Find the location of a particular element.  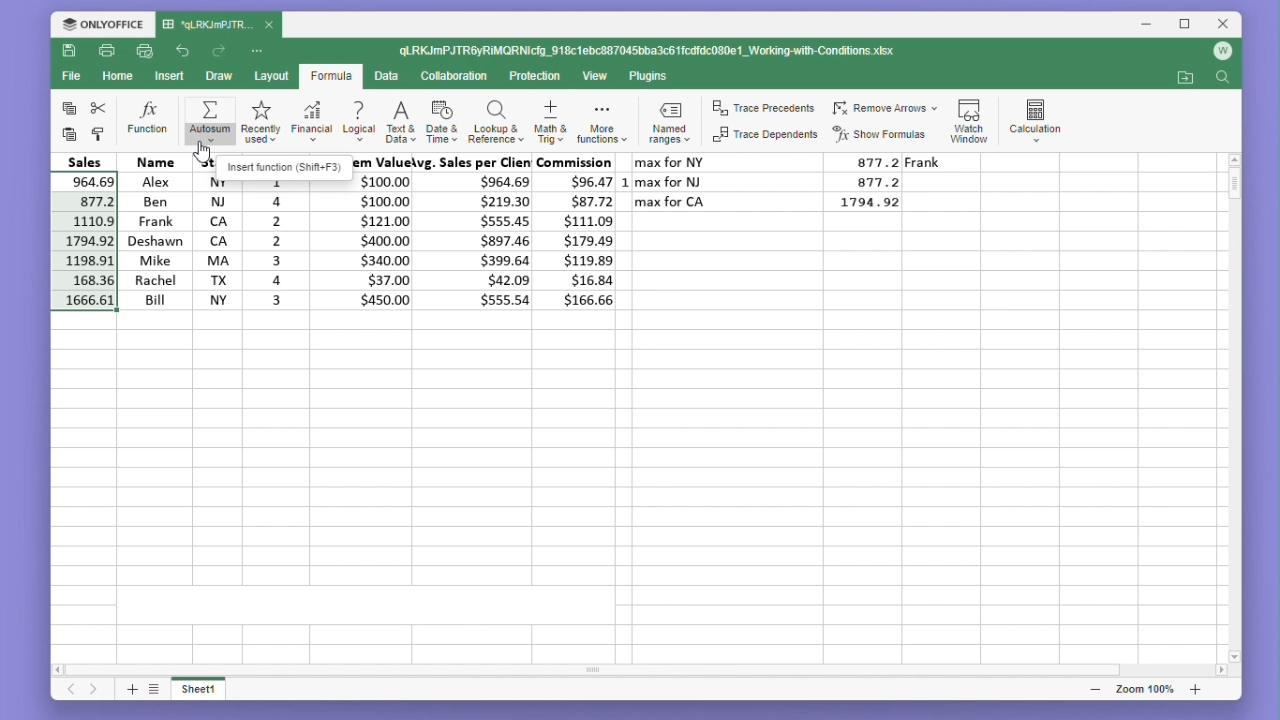

undo is located at coordinates (184, 52).